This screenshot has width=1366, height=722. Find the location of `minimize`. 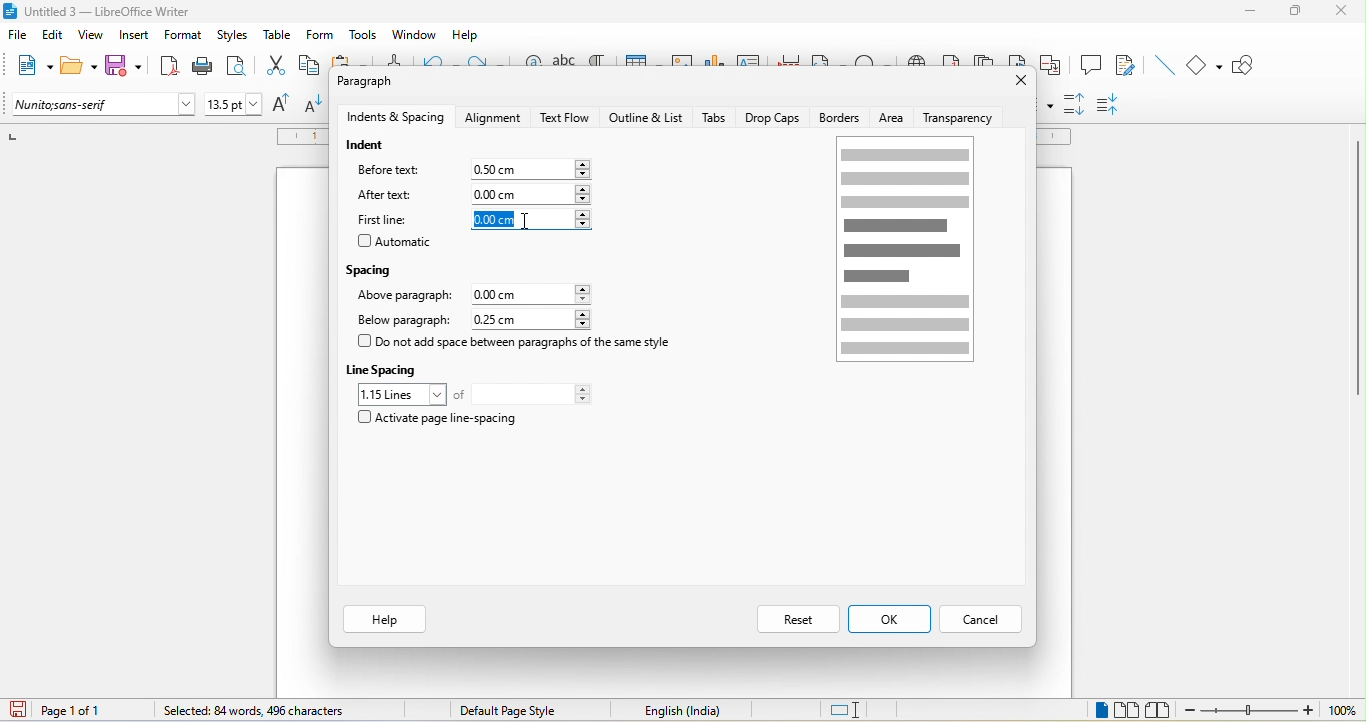

minimize is located at coordinates (1249, 13).